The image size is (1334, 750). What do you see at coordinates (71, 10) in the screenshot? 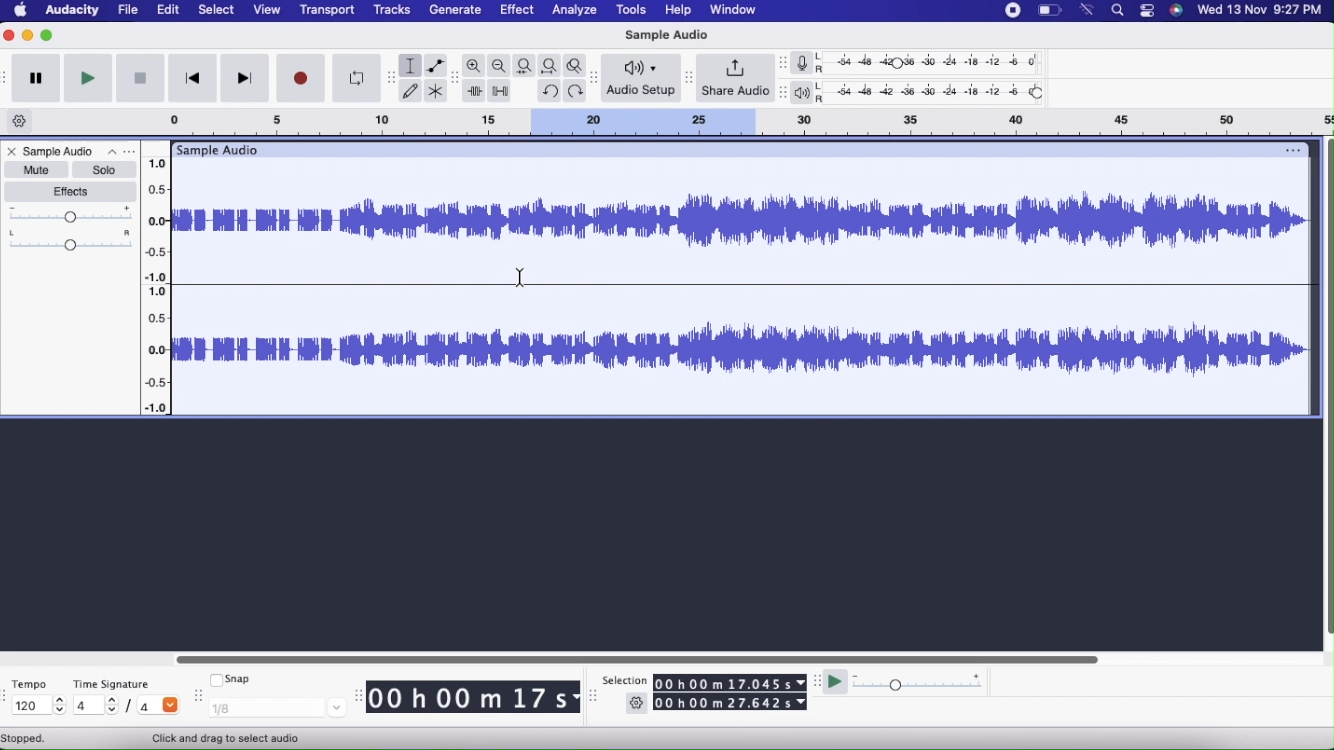
I see `audacity` at bounding box center [71, 10].